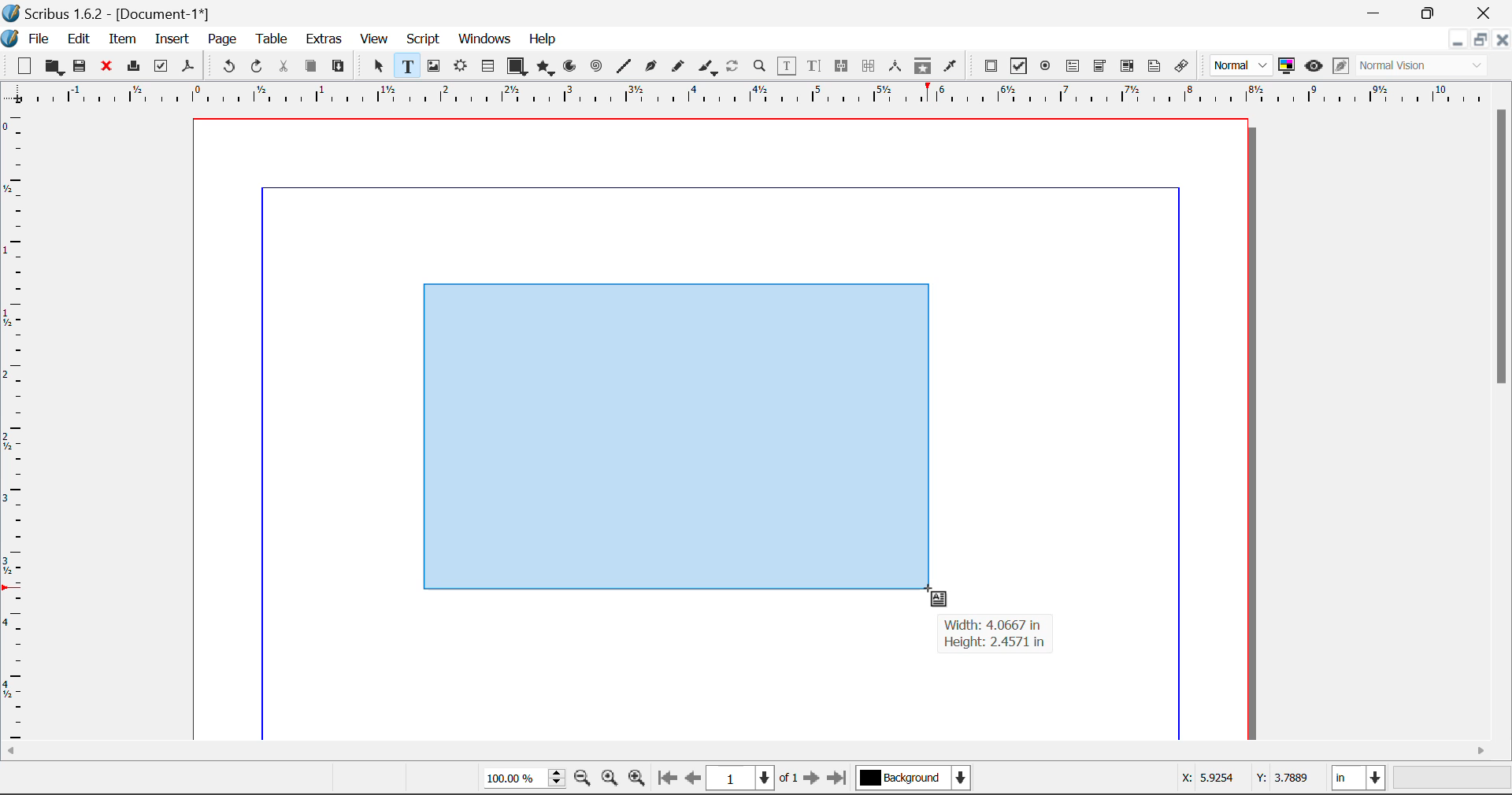 The height and width of the screenshot is (795, 1512). Describe the element at coordinates (1503, 39) in the screenshot. I see `Close` at that location.